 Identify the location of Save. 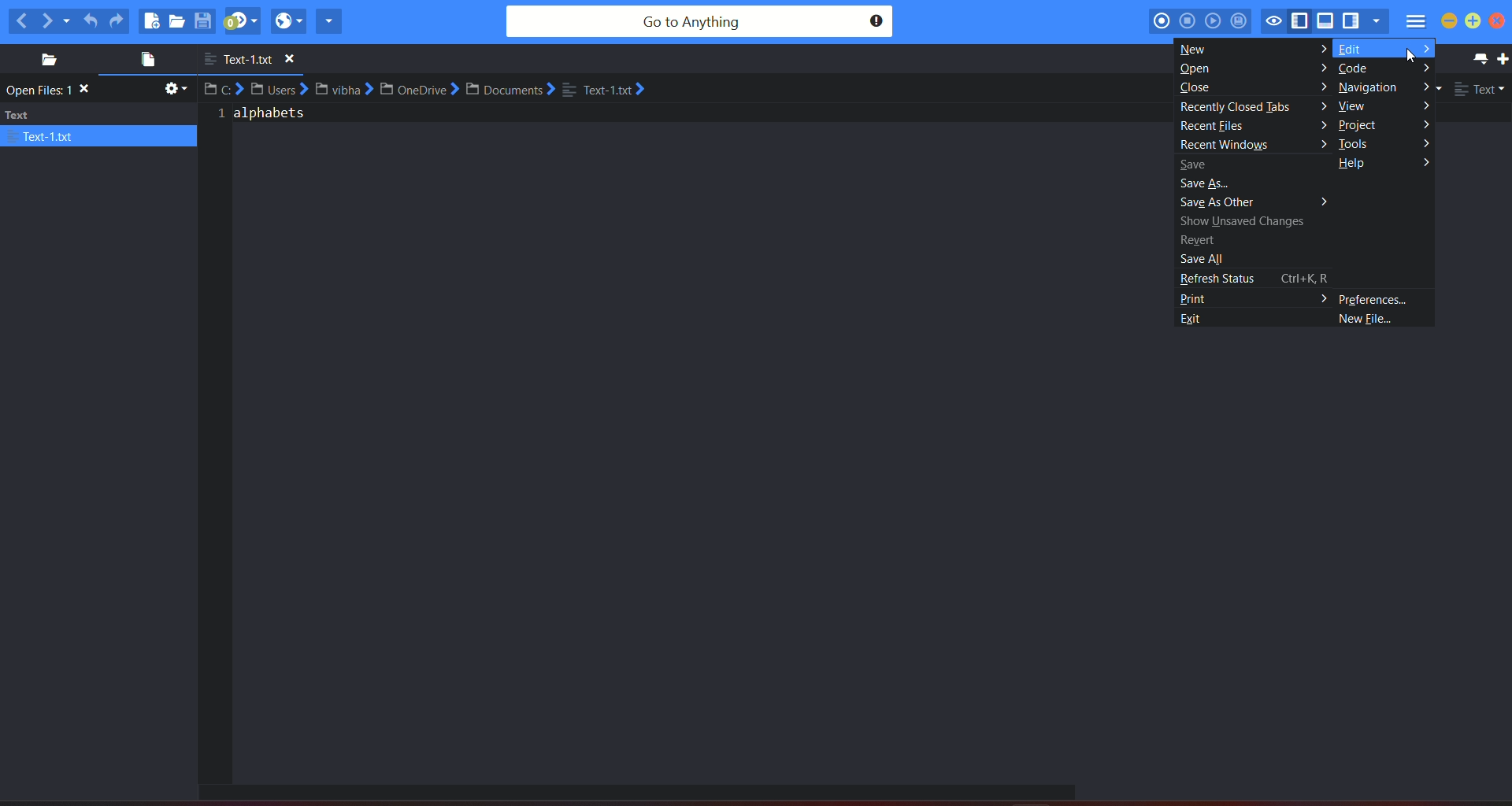
(1199, 163).